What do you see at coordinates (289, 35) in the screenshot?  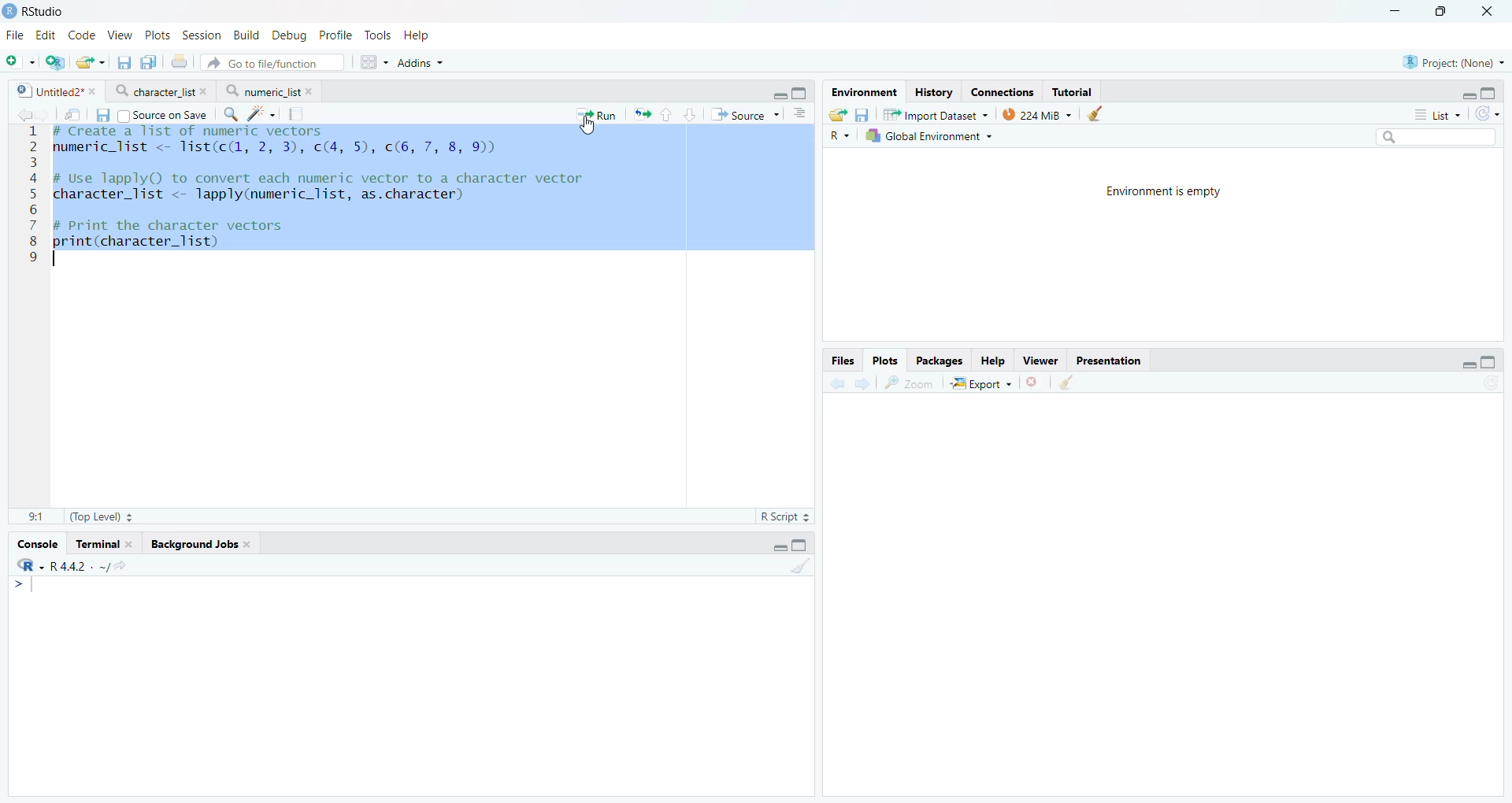 I see `Debug` at bounding box center [289, 35].